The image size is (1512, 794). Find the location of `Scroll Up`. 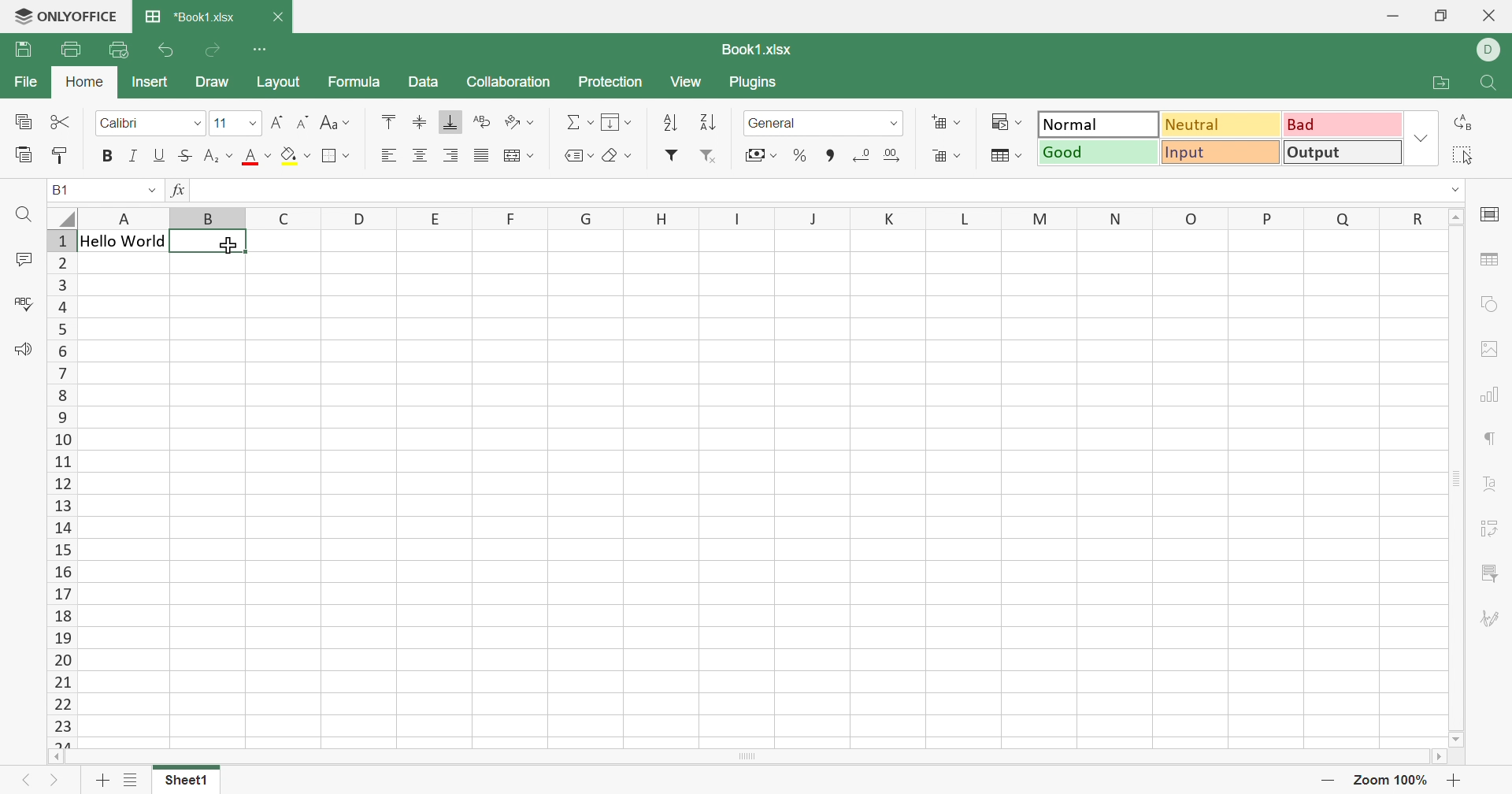

Scroll Up is located at coordinates (1451, 217).